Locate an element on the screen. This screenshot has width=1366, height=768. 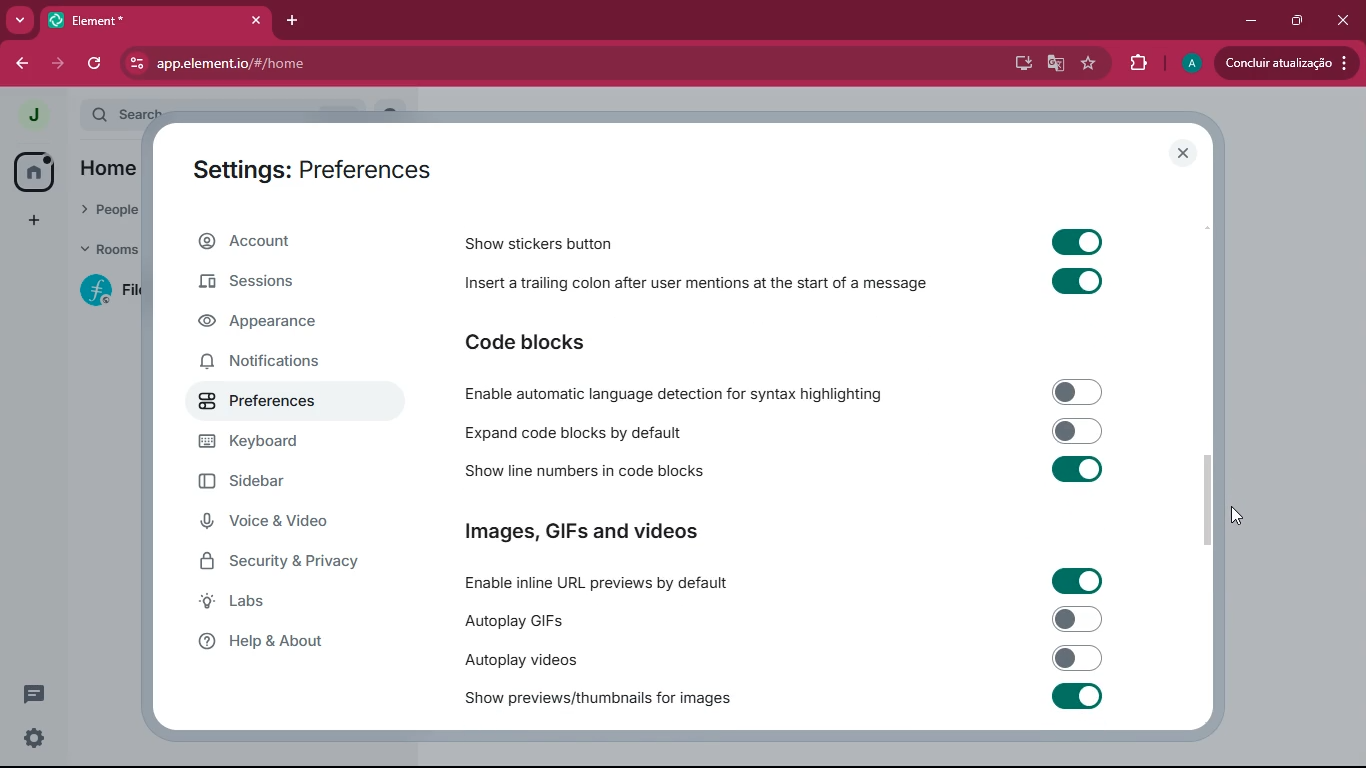
install app is located at coordinates (1016, 61).